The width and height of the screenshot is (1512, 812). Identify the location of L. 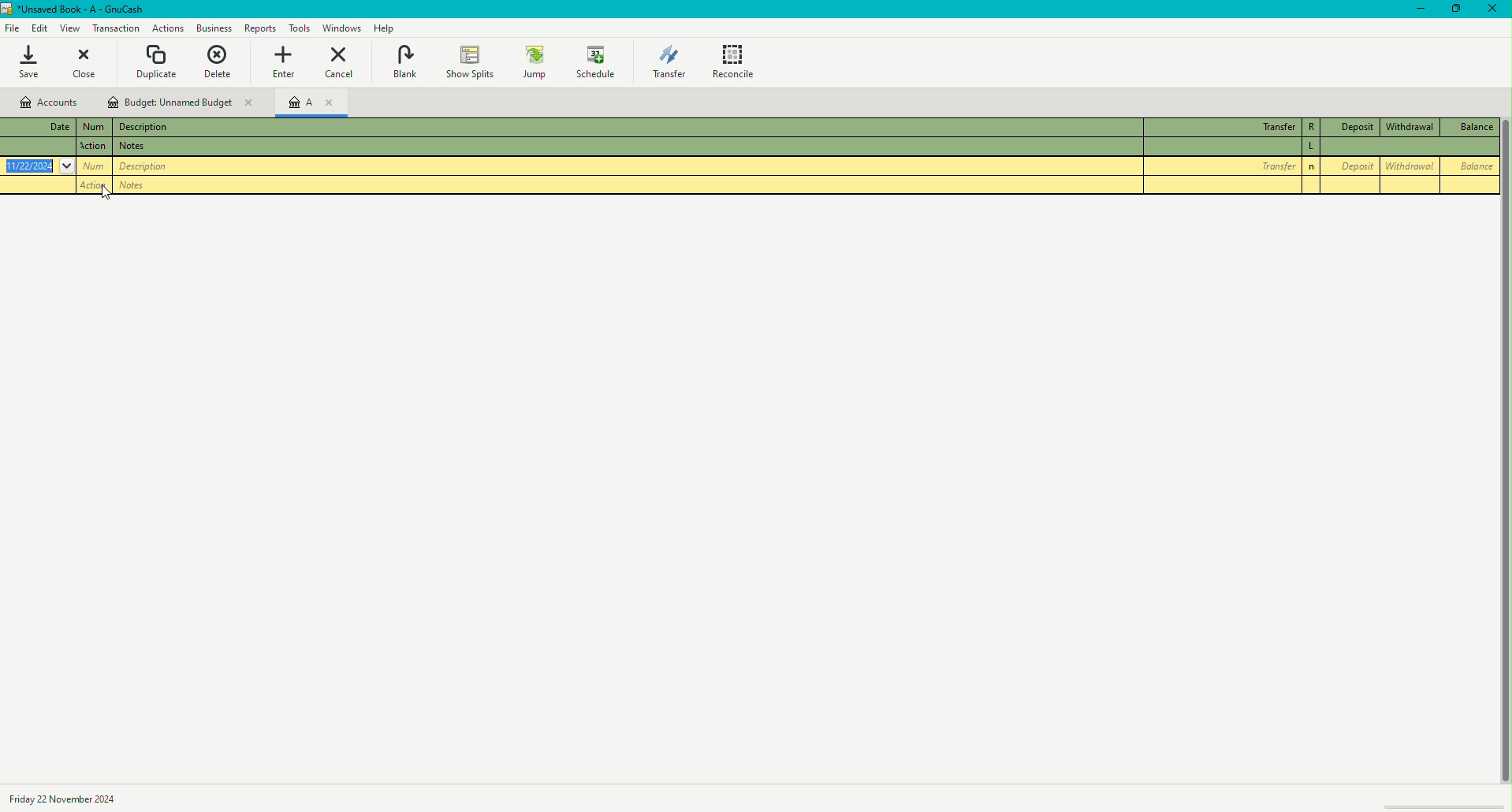
(1312, 146).